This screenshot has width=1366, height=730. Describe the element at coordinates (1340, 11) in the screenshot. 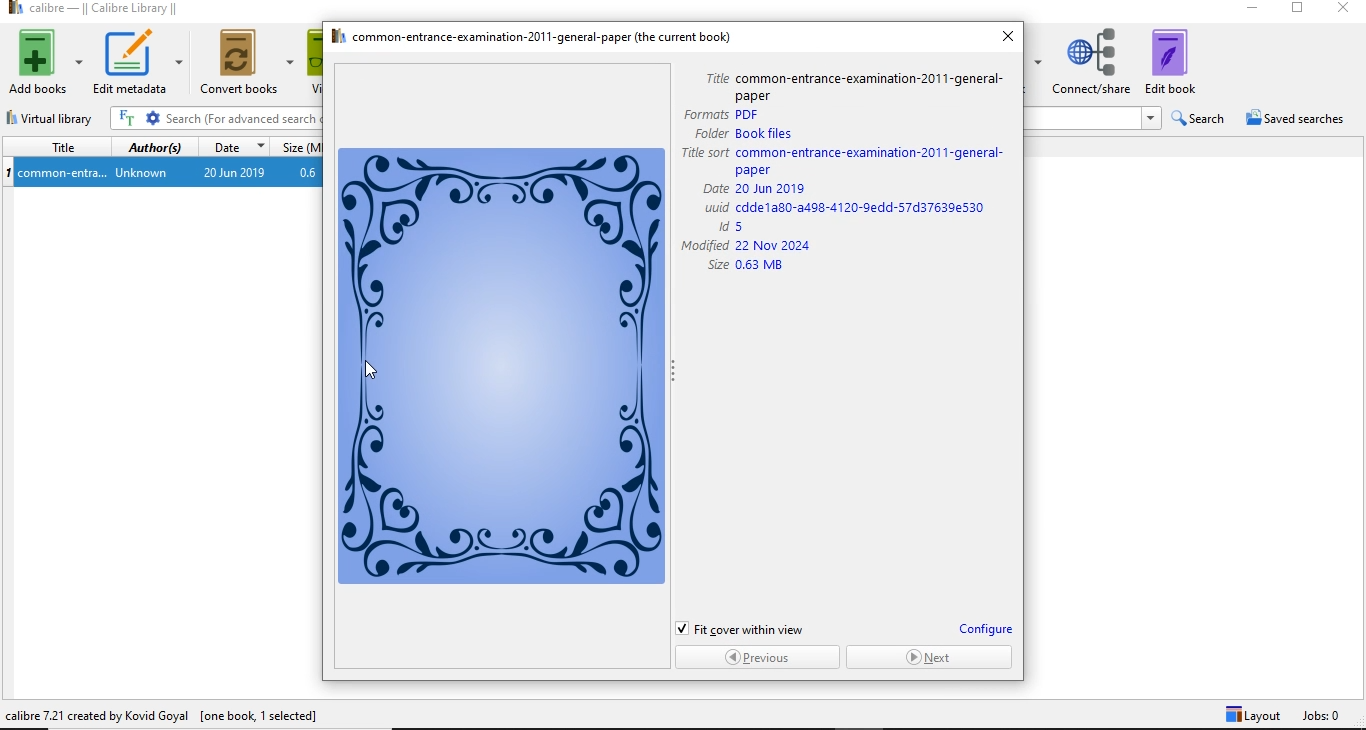

I see `Close` at that location.